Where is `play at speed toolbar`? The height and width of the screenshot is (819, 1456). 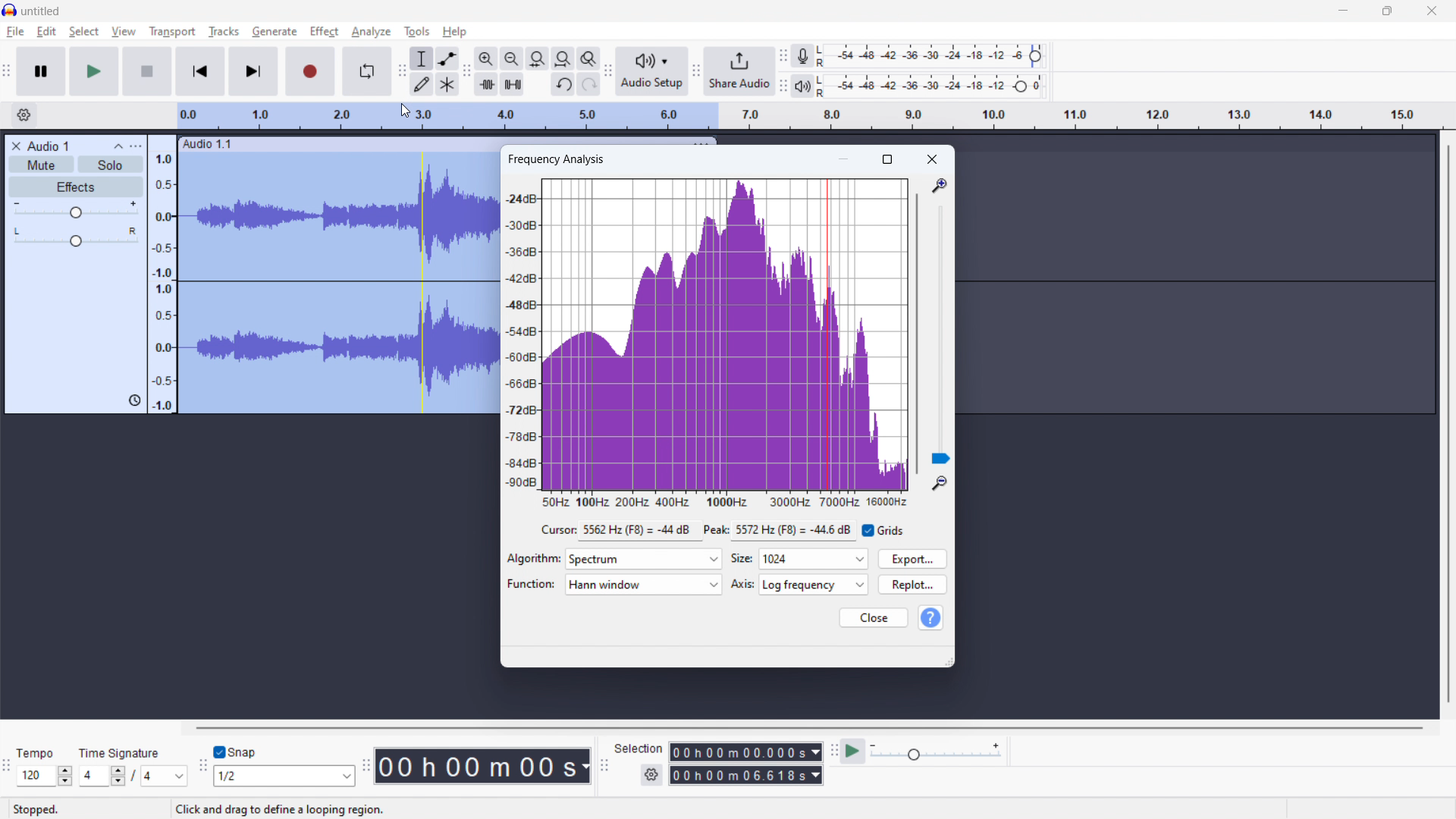 play at speed toolbar is located at coordinates (833, 752).